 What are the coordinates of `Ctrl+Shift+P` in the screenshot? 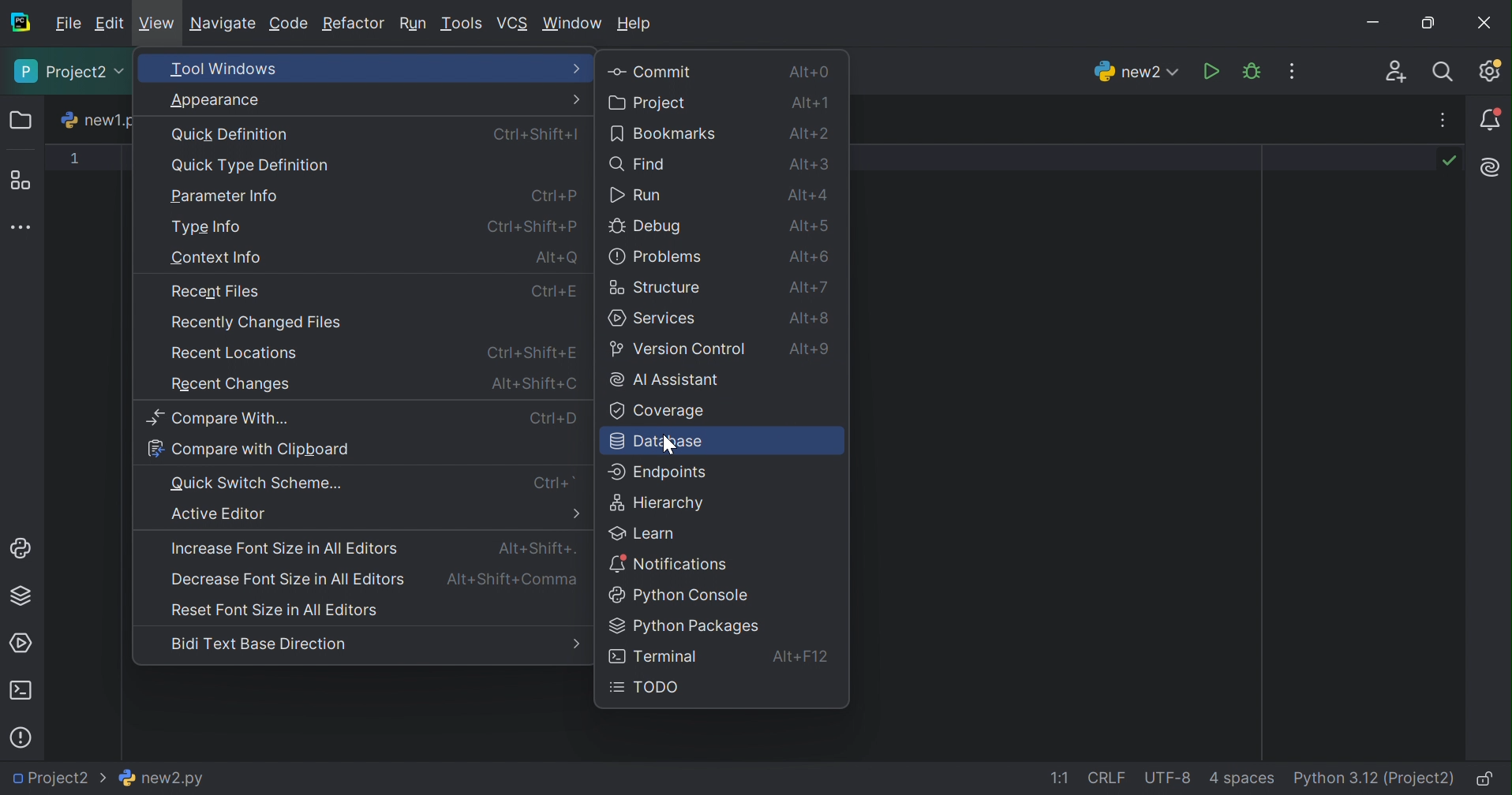 It's located at (531, 226).